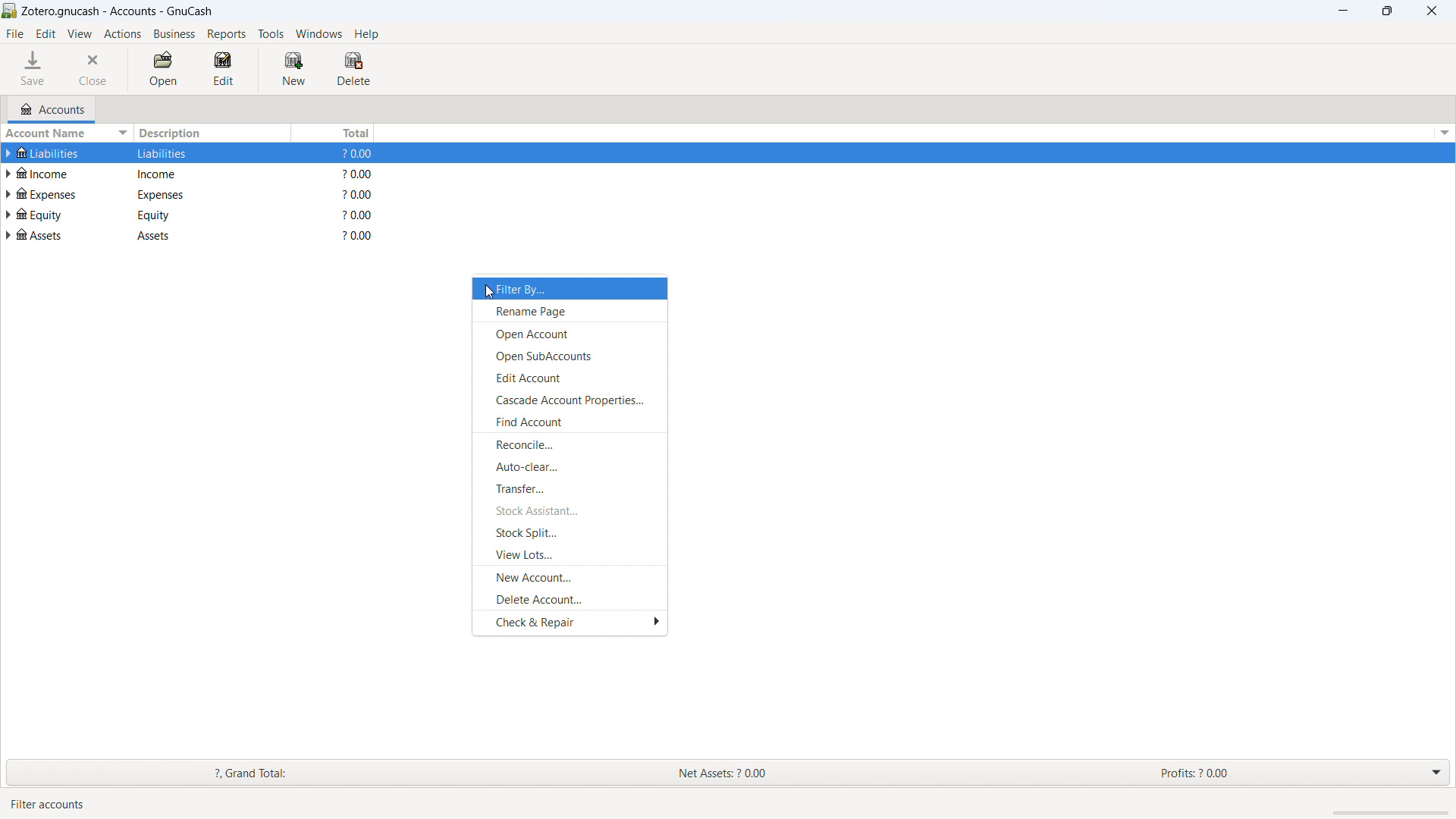 The height and width of the screenshot is (819, 1456). Describe the element at coordinates (174, 193) in the screenshot. I see `expenses` at that location.